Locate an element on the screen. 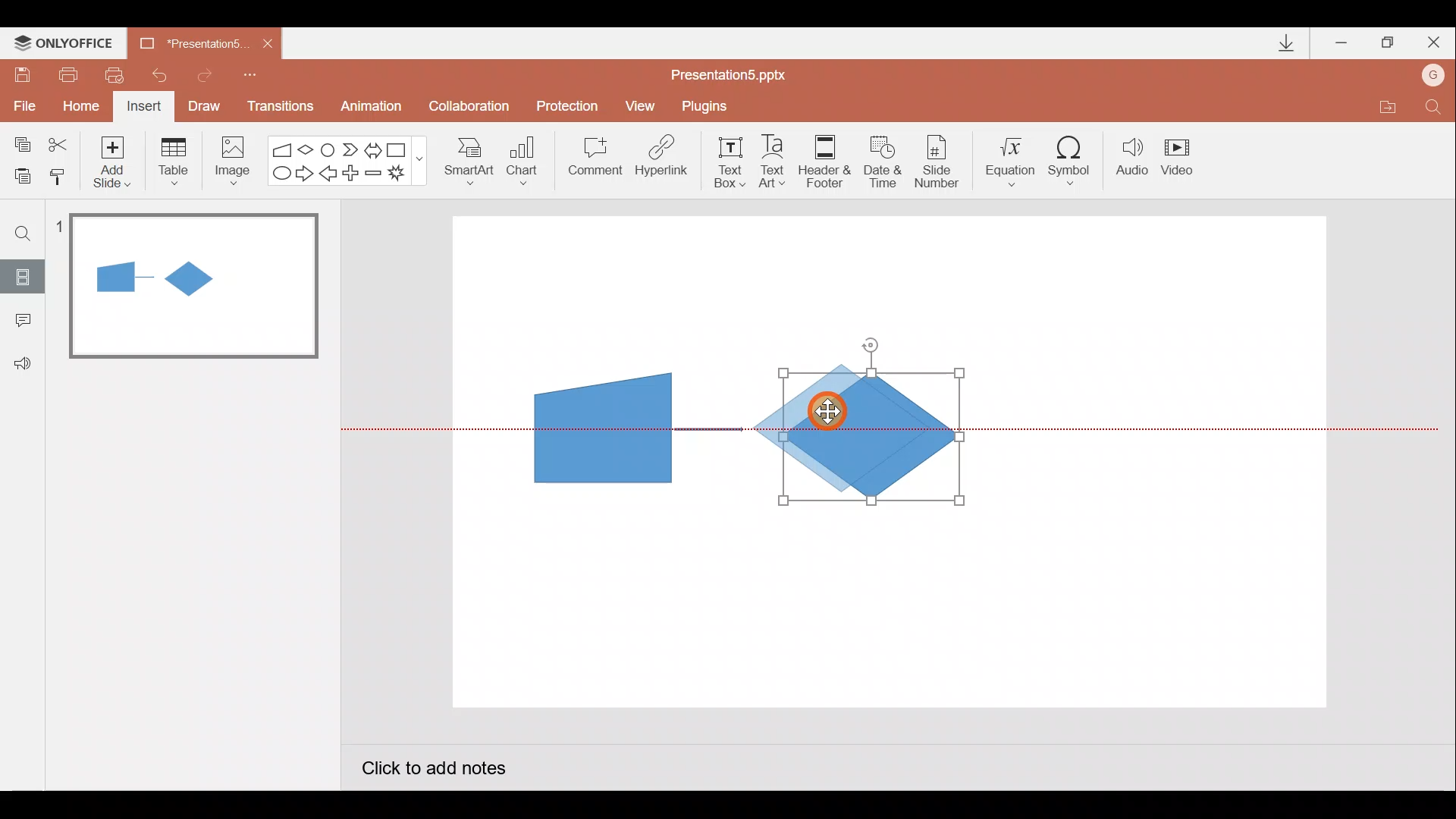  Plus is located at coordinates (353, 175).